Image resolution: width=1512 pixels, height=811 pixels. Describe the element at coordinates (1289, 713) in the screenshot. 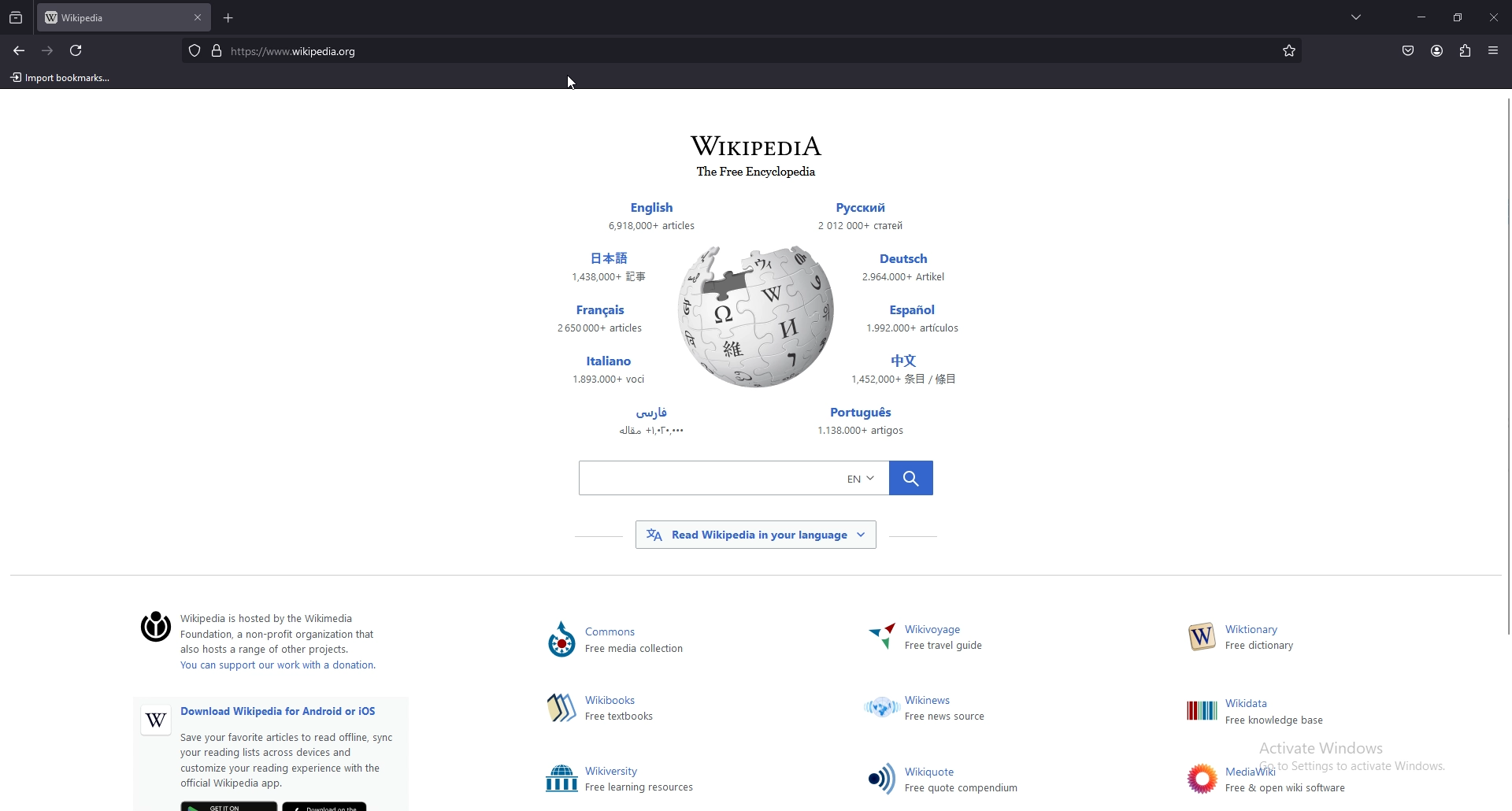

I see `` at that location.